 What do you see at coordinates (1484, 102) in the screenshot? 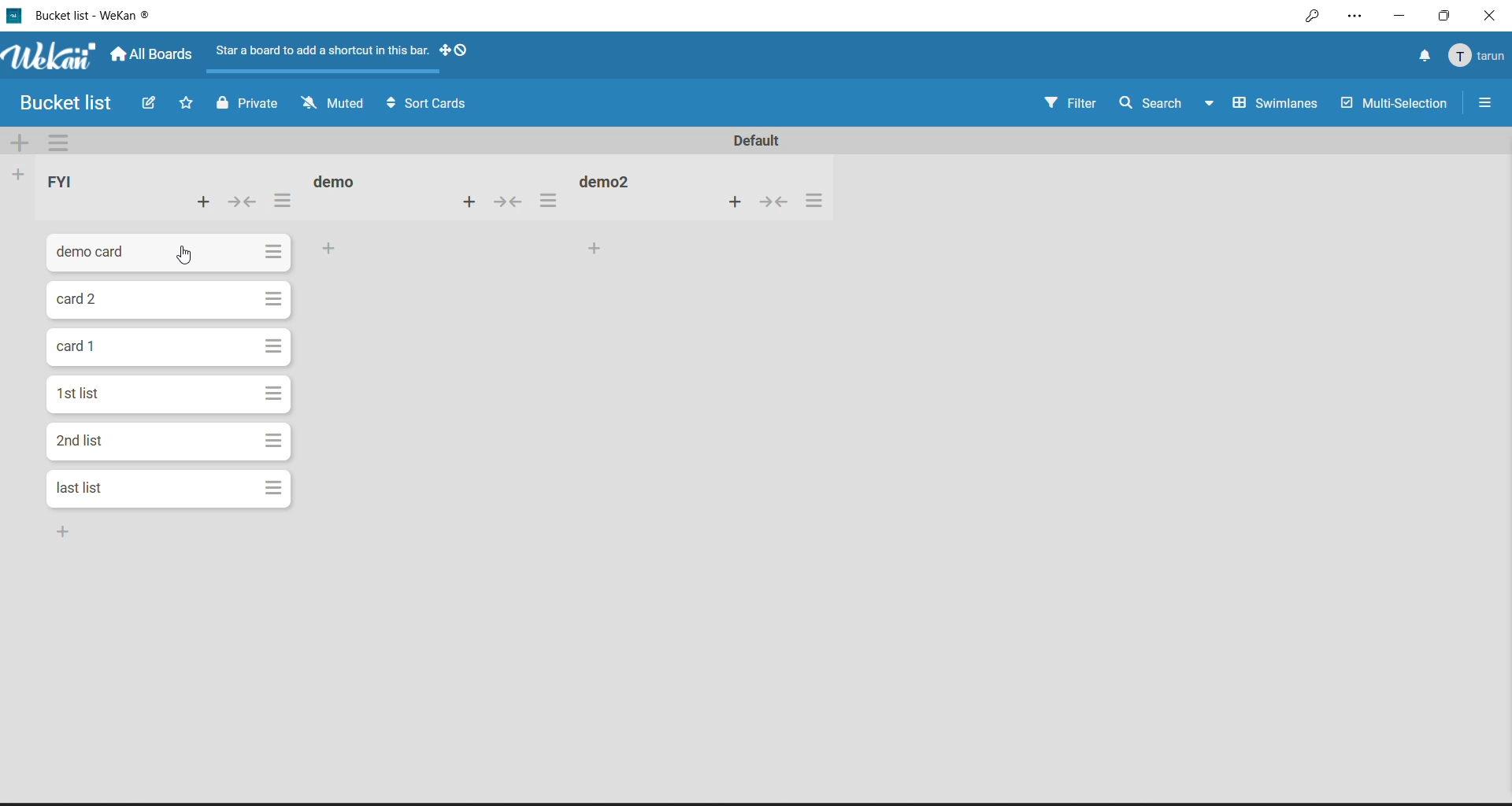
I see `open or close sidebar` at bounding box center [1484, 102].